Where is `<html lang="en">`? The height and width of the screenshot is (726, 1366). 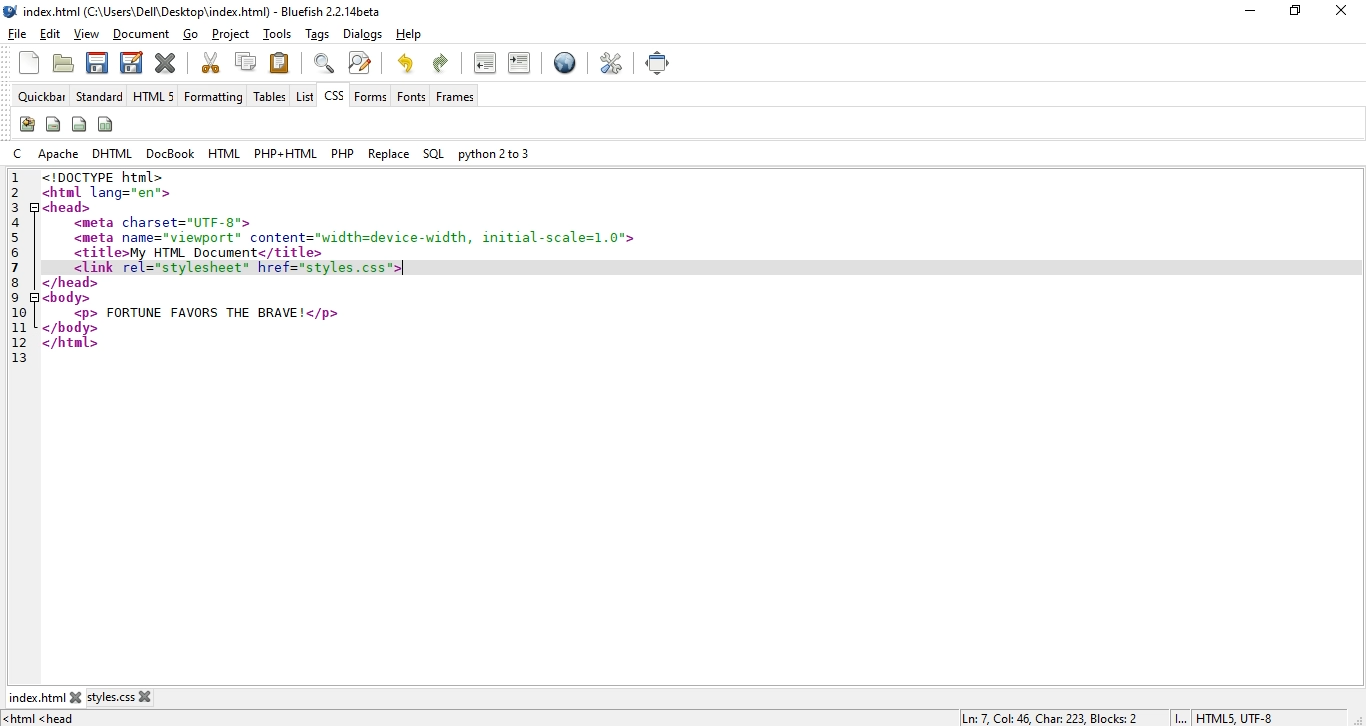
<html lang="en"> is located at coordinates (106, 193).